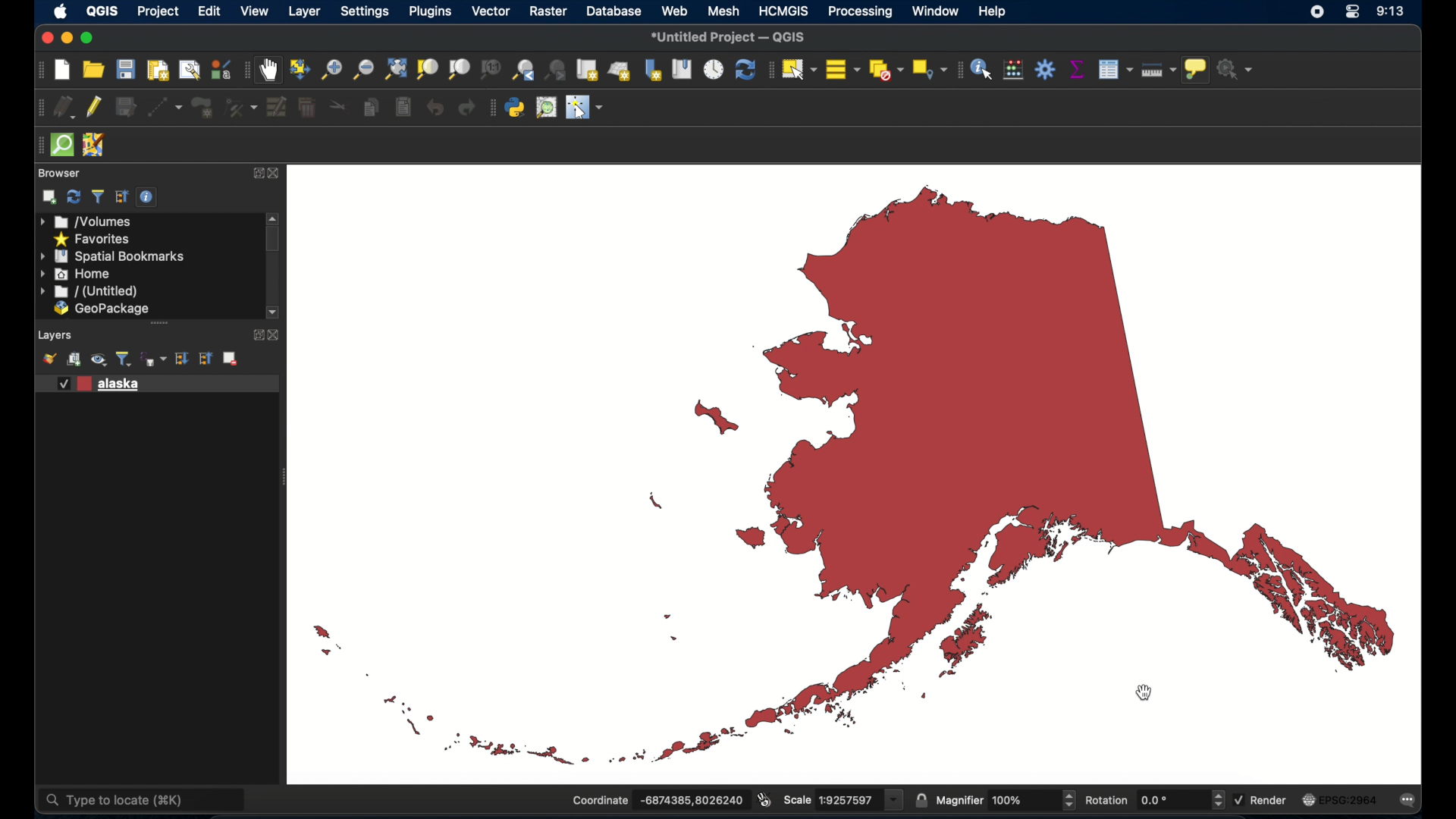 The image size is (1456, 819). What do you see at coordinates (103, 11) in the screenshot?
I see `QGIS` at bounding box center [103, 11].